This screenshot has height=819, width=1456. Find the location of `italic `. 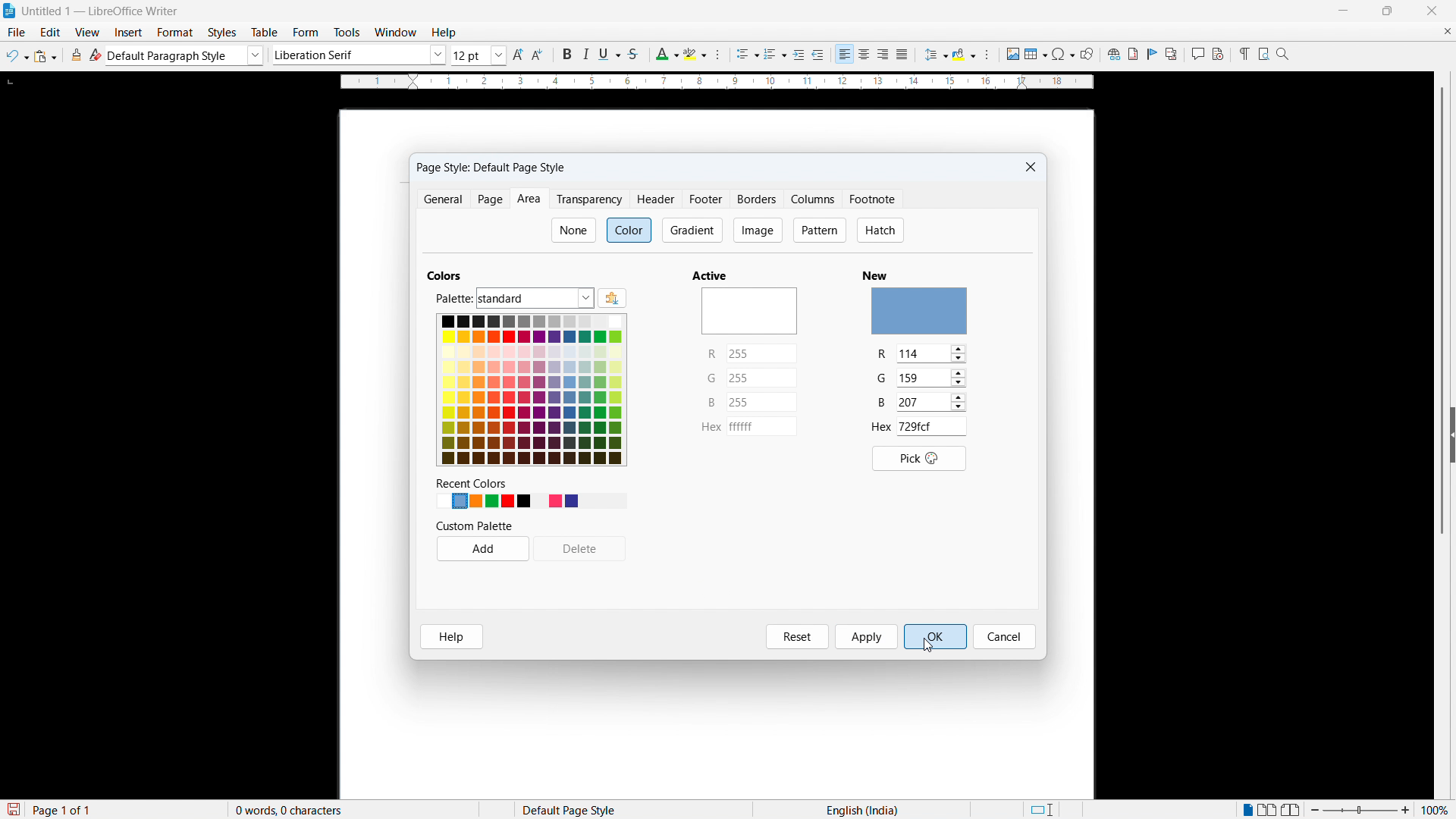

italic  is located at coordinates (584, 55).